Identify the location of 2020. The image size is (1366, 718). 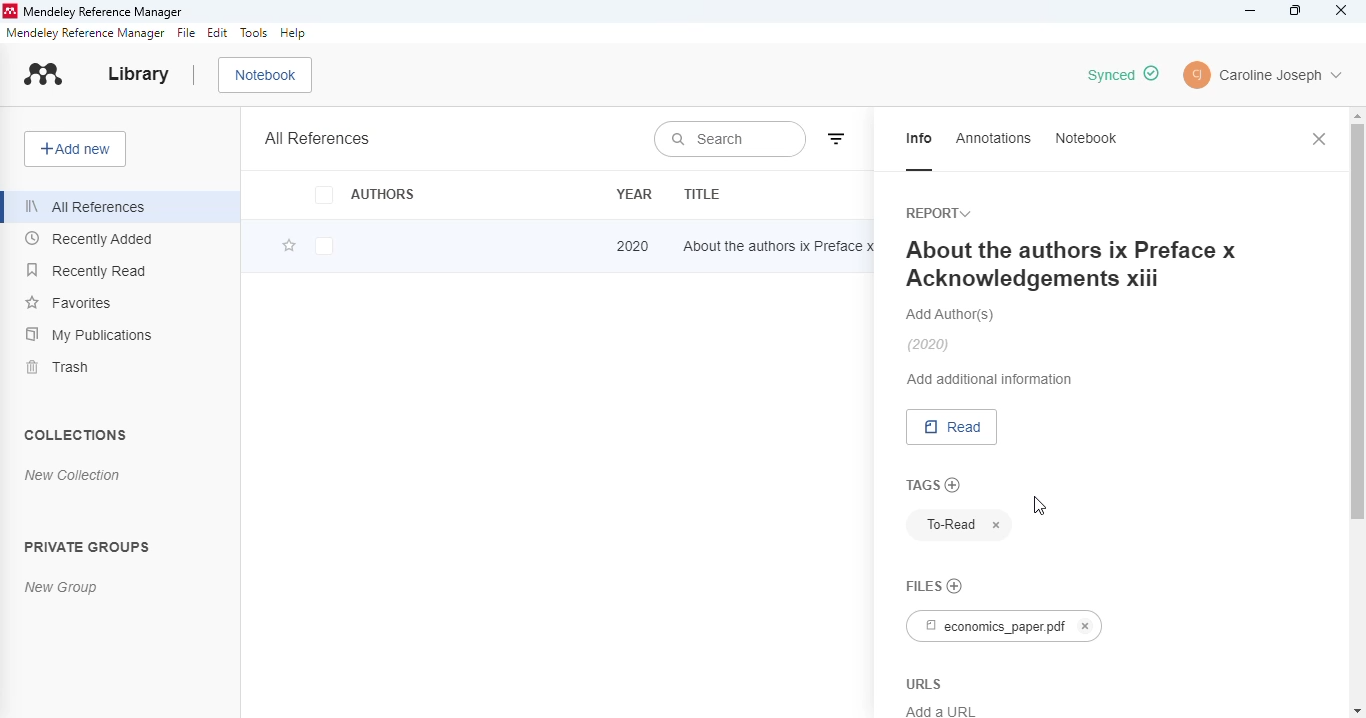
(633, 245).